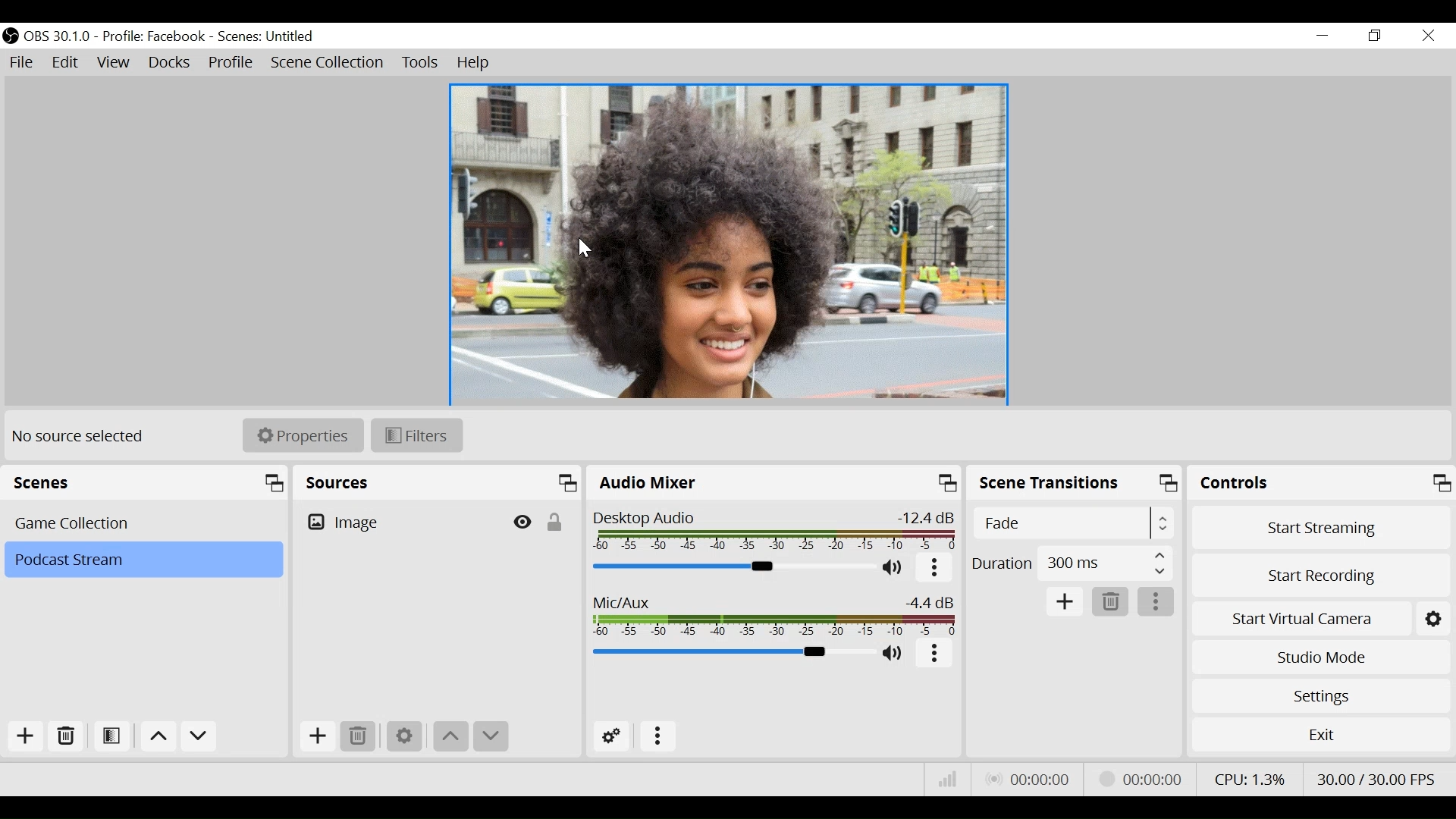 The width and height of the screenshot is (1456, 819). What do you see at coordinates (733, 567) in the screenshot?
I see `Audio Mixer Slider` at bounding box center [733, 567].